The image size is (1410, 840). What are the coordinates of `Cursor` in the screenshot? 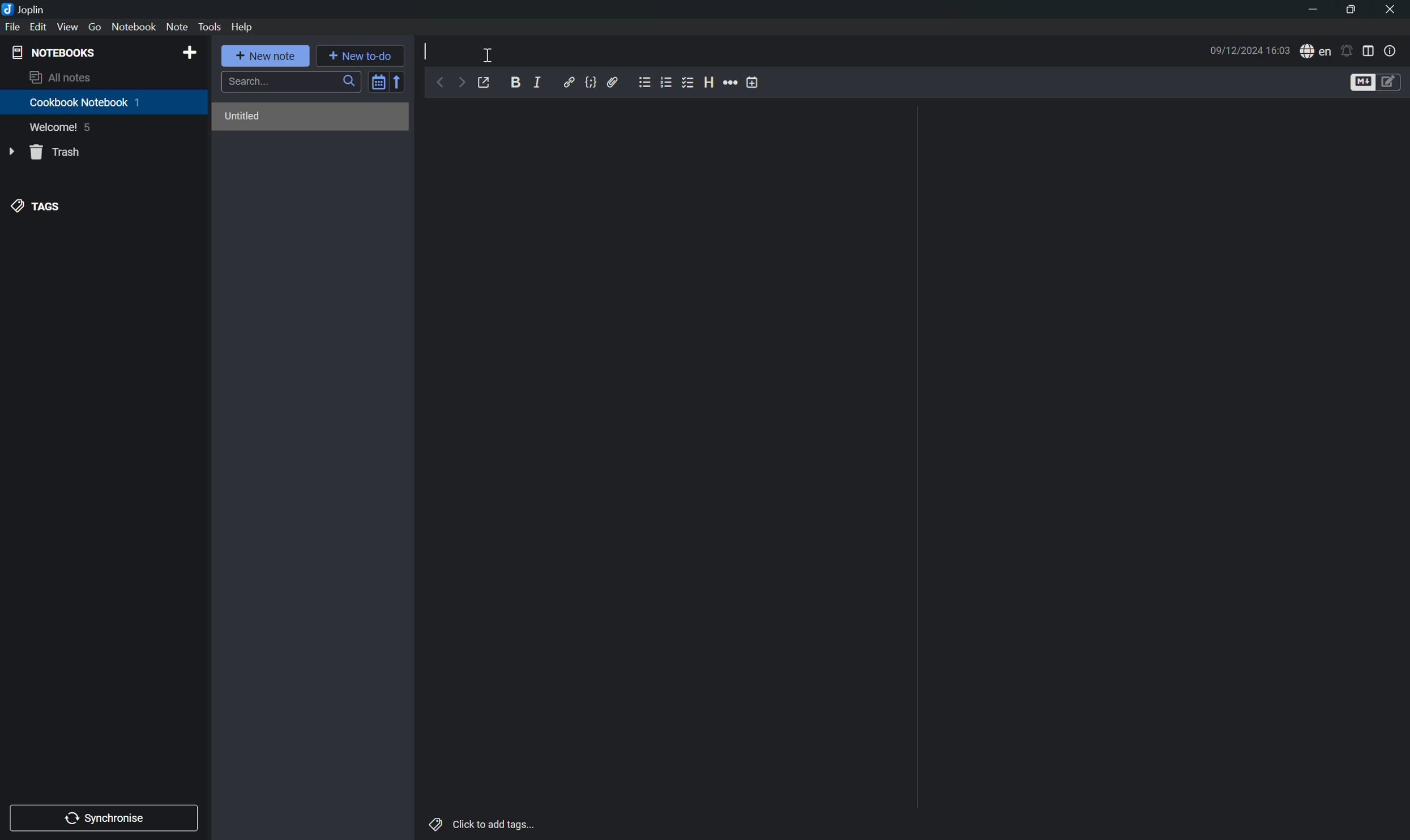 It's located at (488, 55).